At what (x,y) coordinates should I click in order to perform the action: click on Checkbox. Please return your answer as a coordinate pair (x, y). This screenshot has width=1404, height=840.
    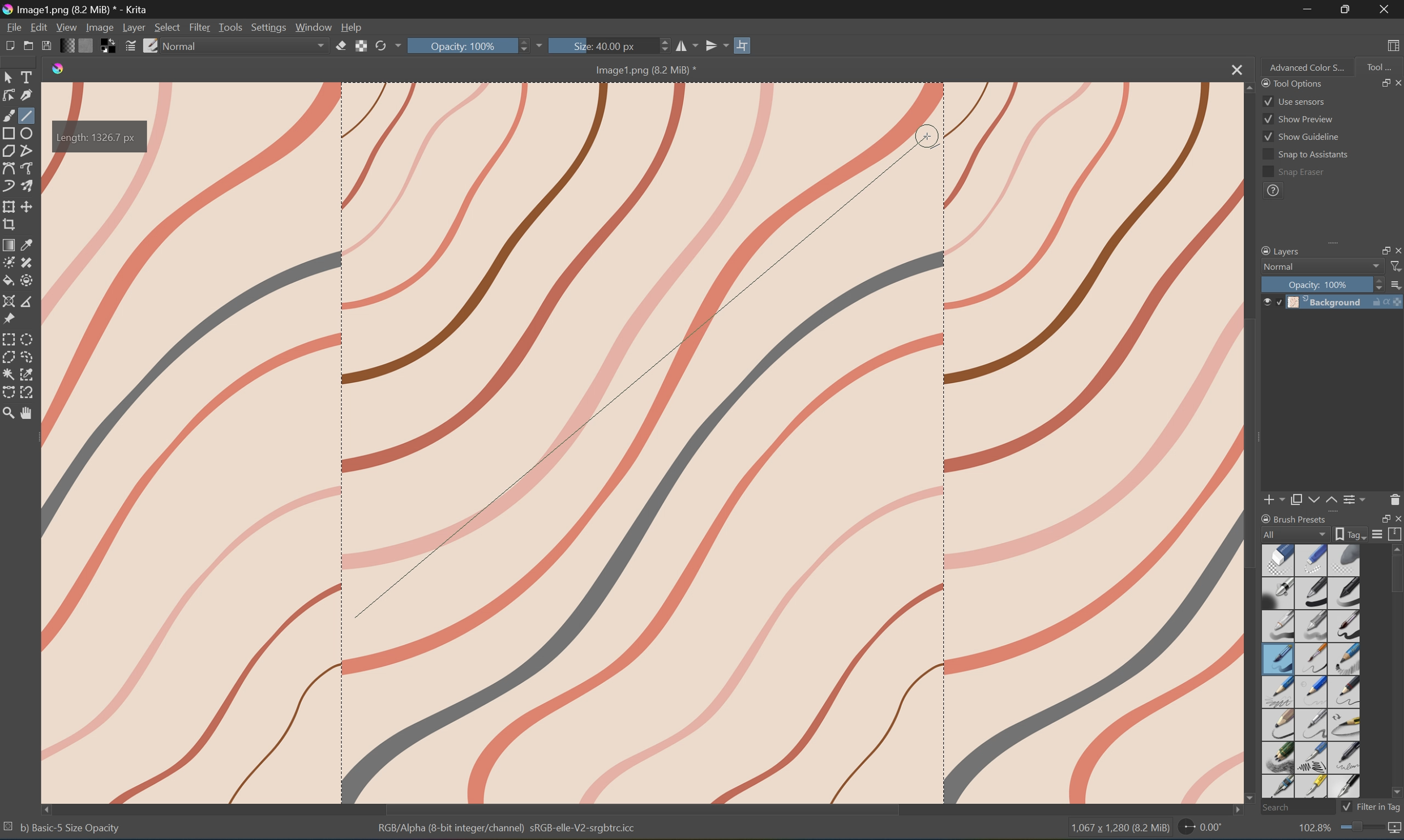
    Looking at the image, I should click on (1345, 807).